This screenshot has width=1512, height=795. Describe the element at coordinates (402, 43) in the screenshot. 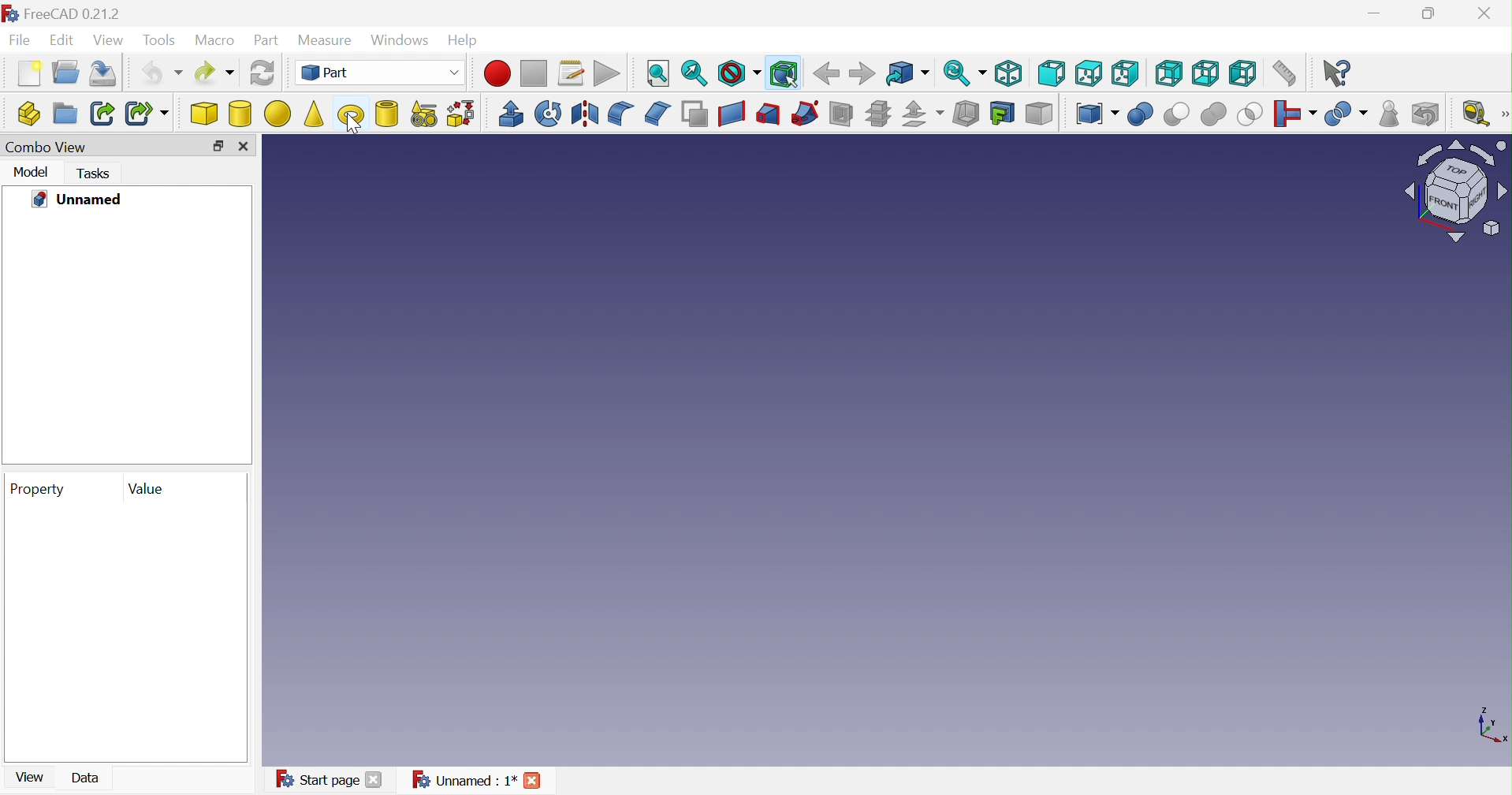

I see `Windows` at that location.